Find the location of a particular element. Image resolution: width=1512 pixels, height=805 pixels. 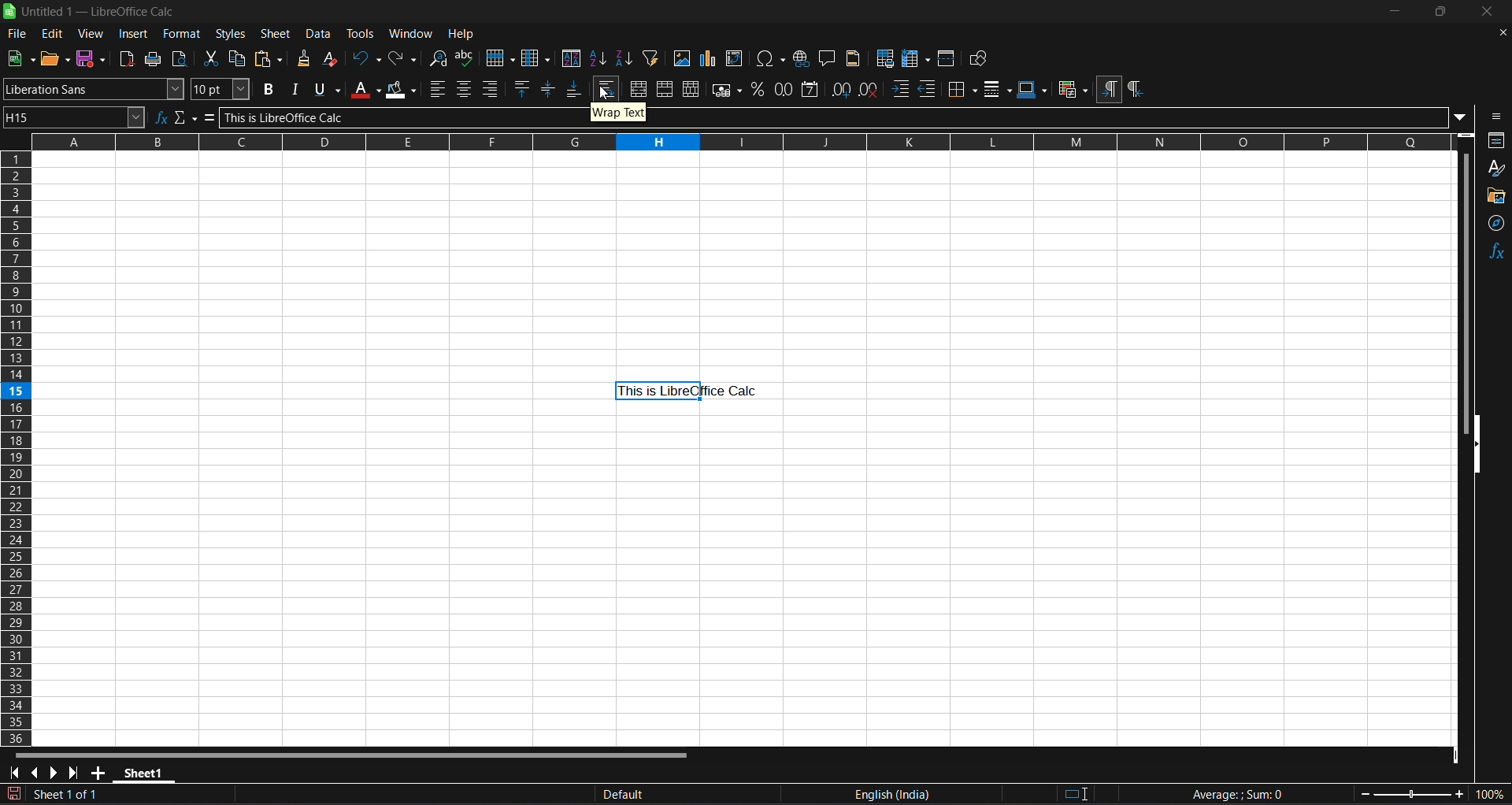

underline is located at coordinates (327, 90).